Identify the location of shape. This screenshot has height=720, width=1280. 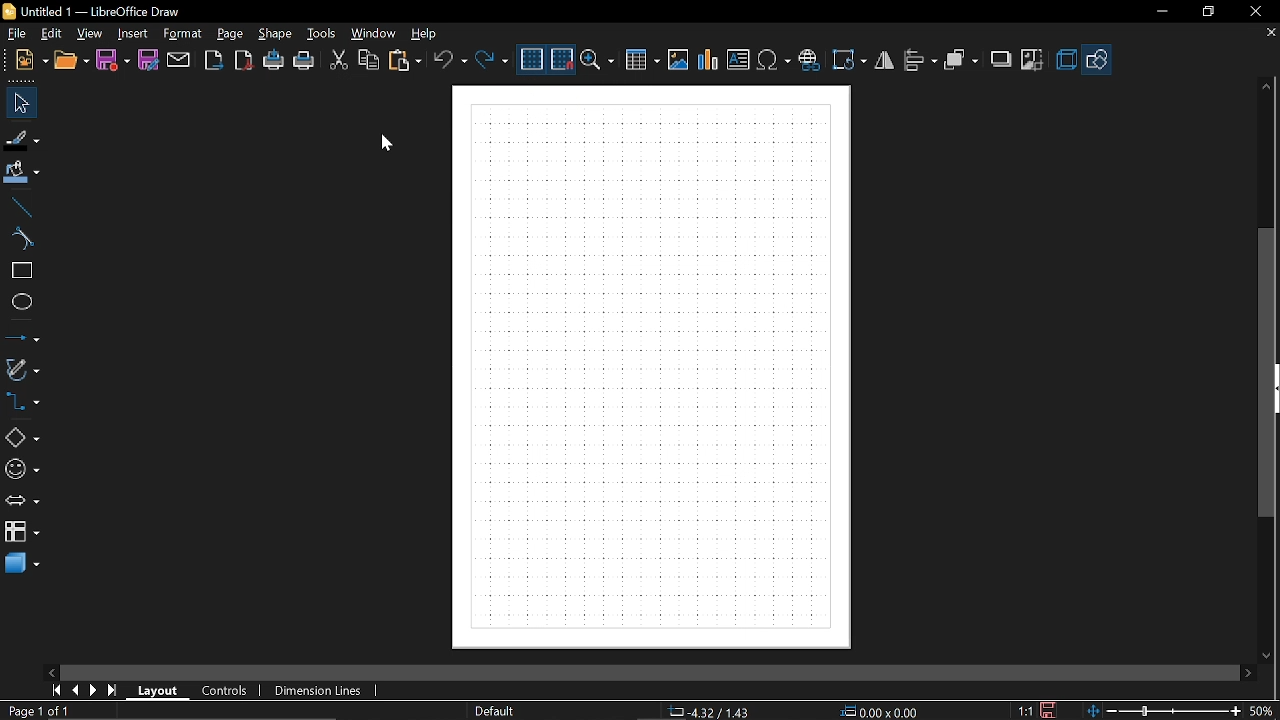
(276, 34).